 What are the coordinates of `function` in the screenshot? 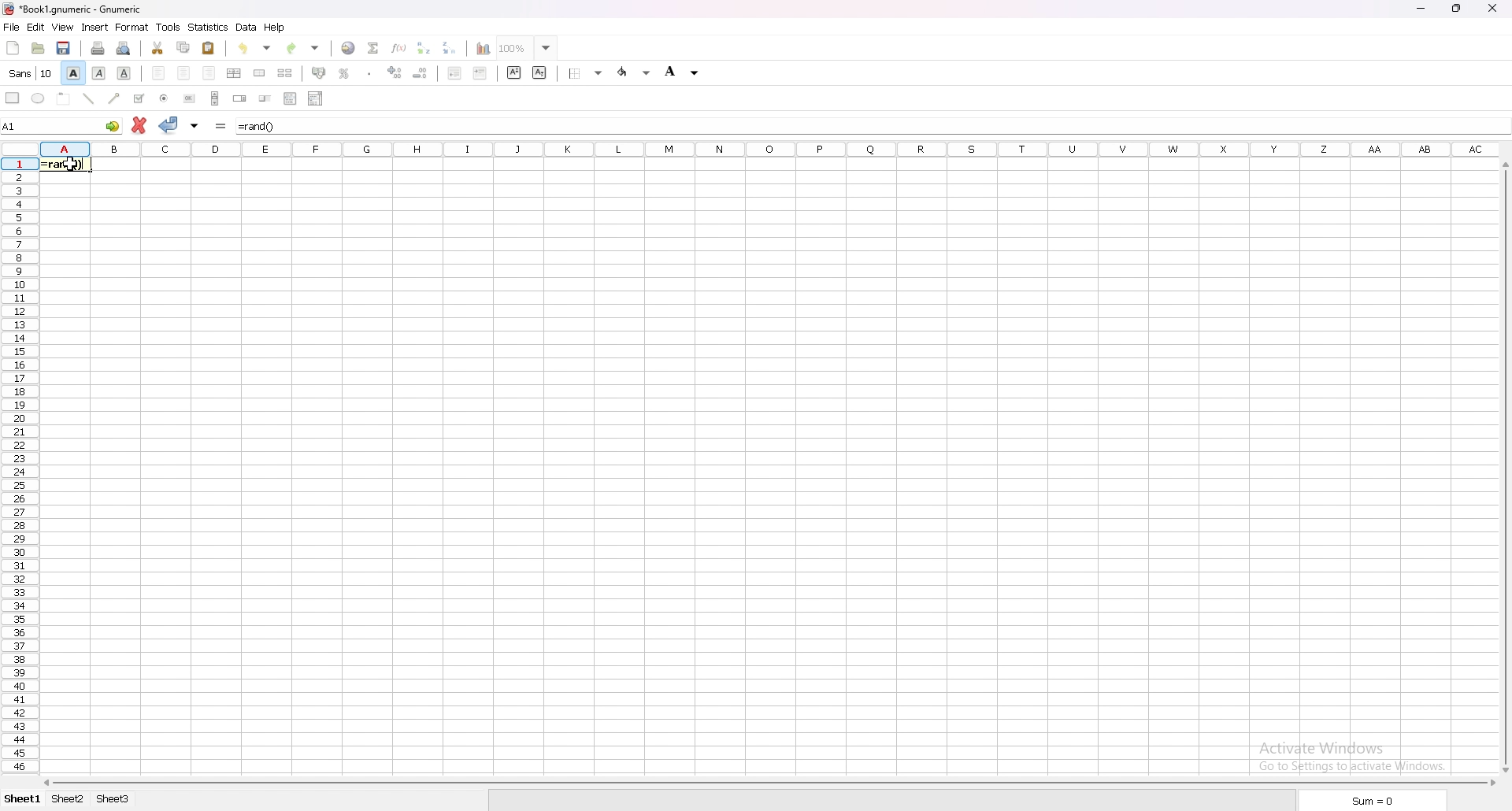 It's located at (398, 48).